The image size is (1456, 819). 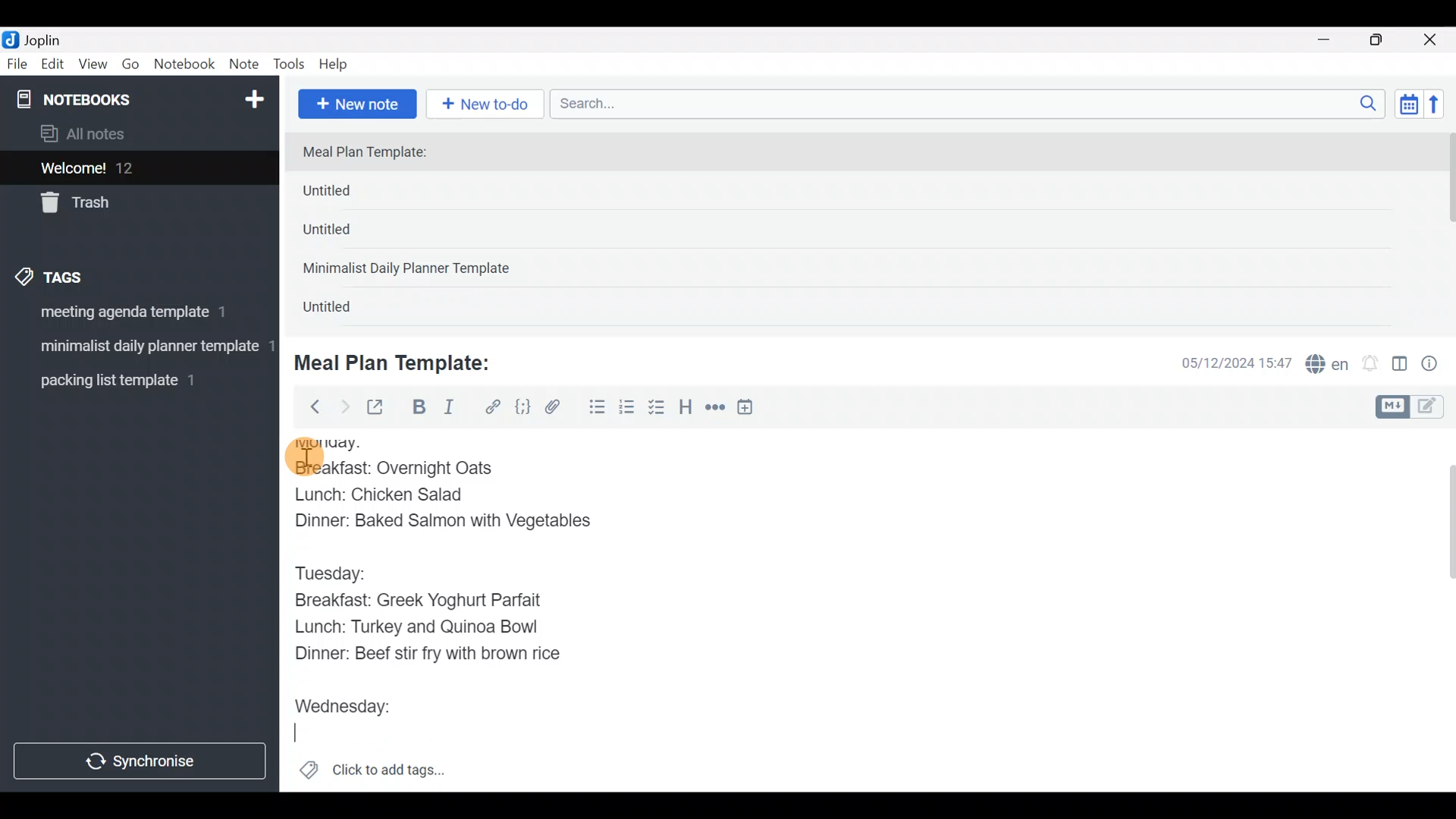 I want to click on Dinner: Baked Salmon with Vegetables, so click(x=441, y=522).